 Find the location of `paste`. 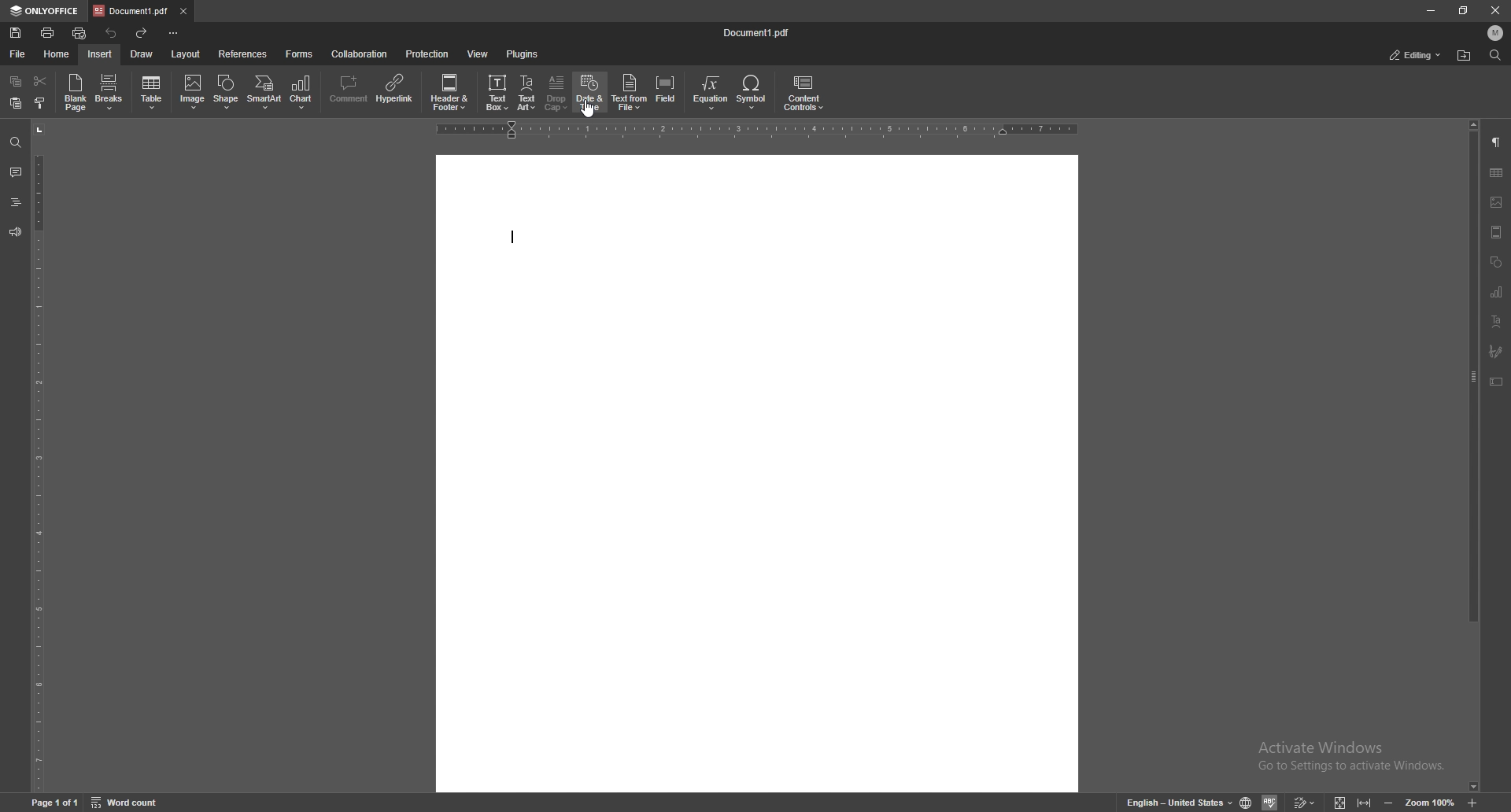

paste is located at coordinates (16, 101).